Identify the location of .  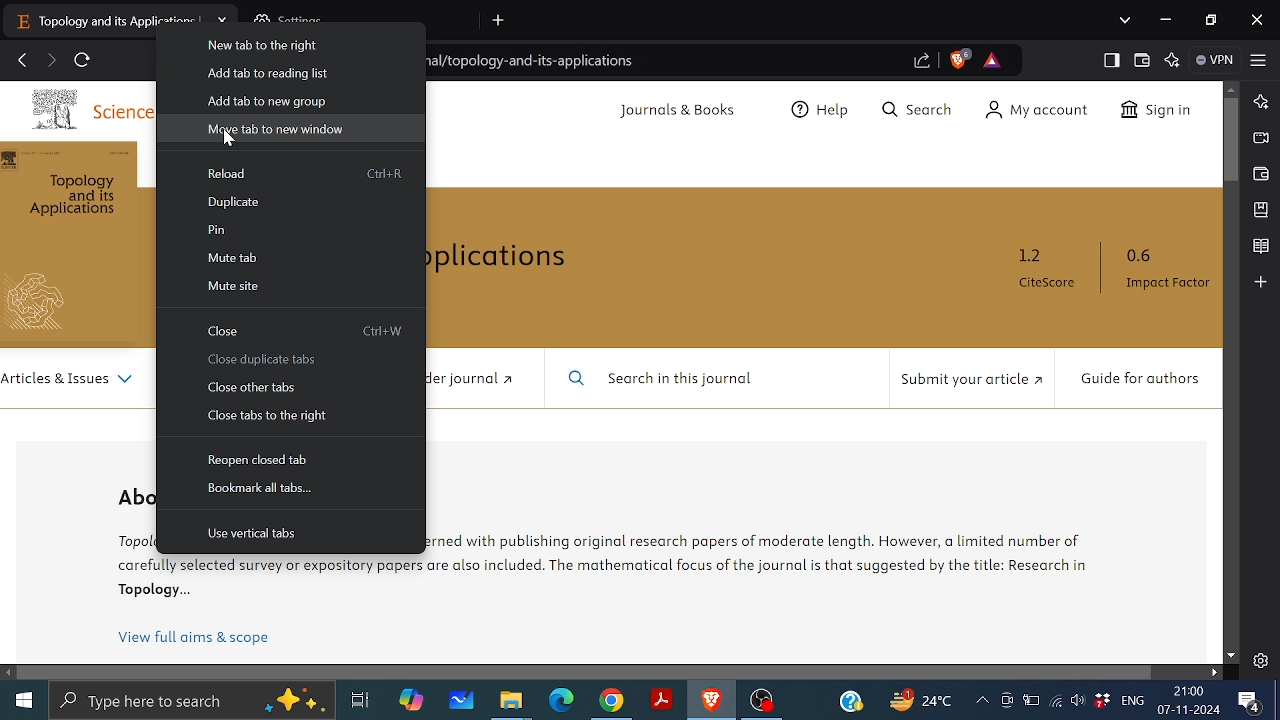
(1007, 701).